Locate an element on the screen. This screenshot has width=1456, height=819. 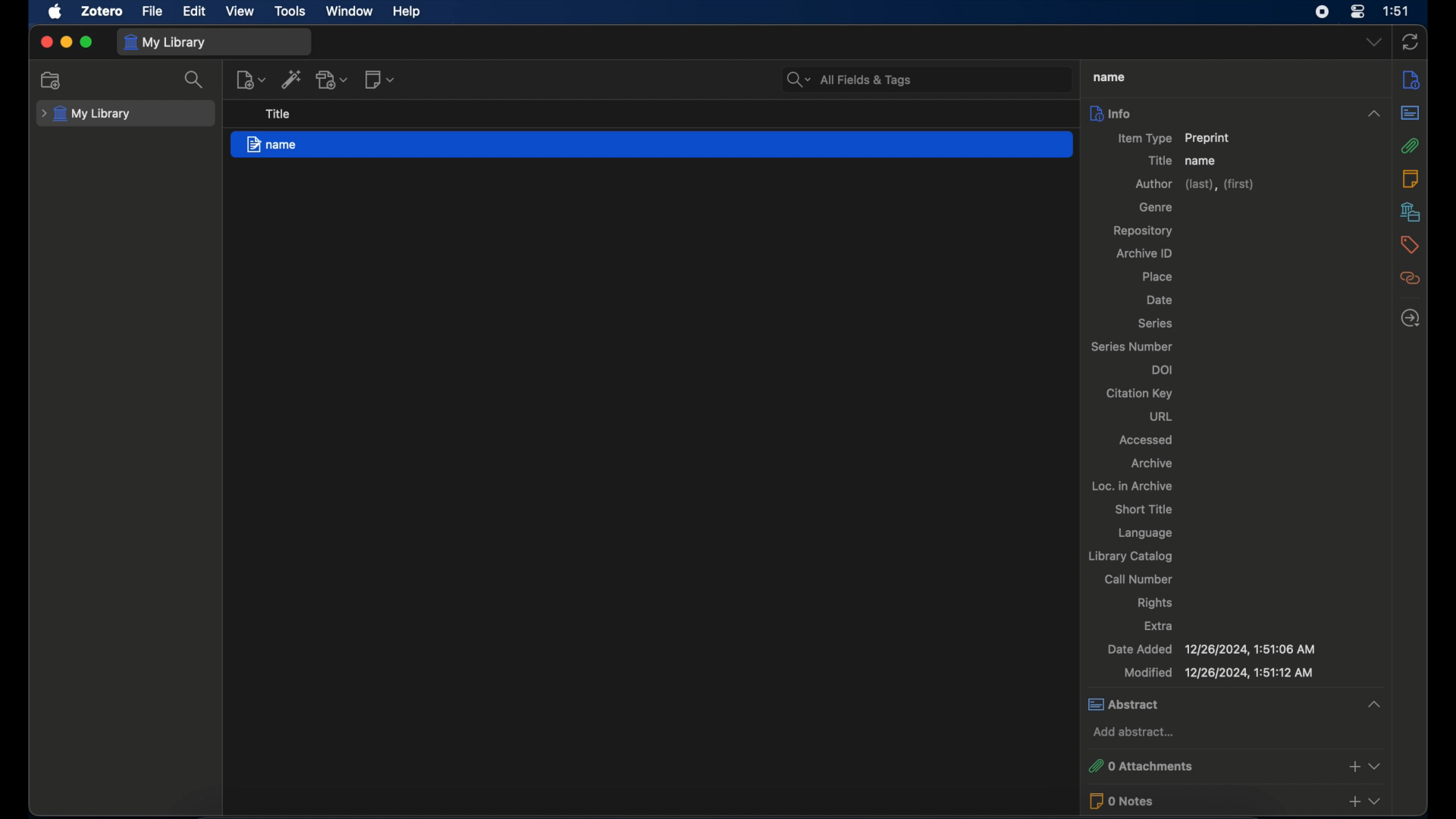
series is located at coordinates (1156, 324).